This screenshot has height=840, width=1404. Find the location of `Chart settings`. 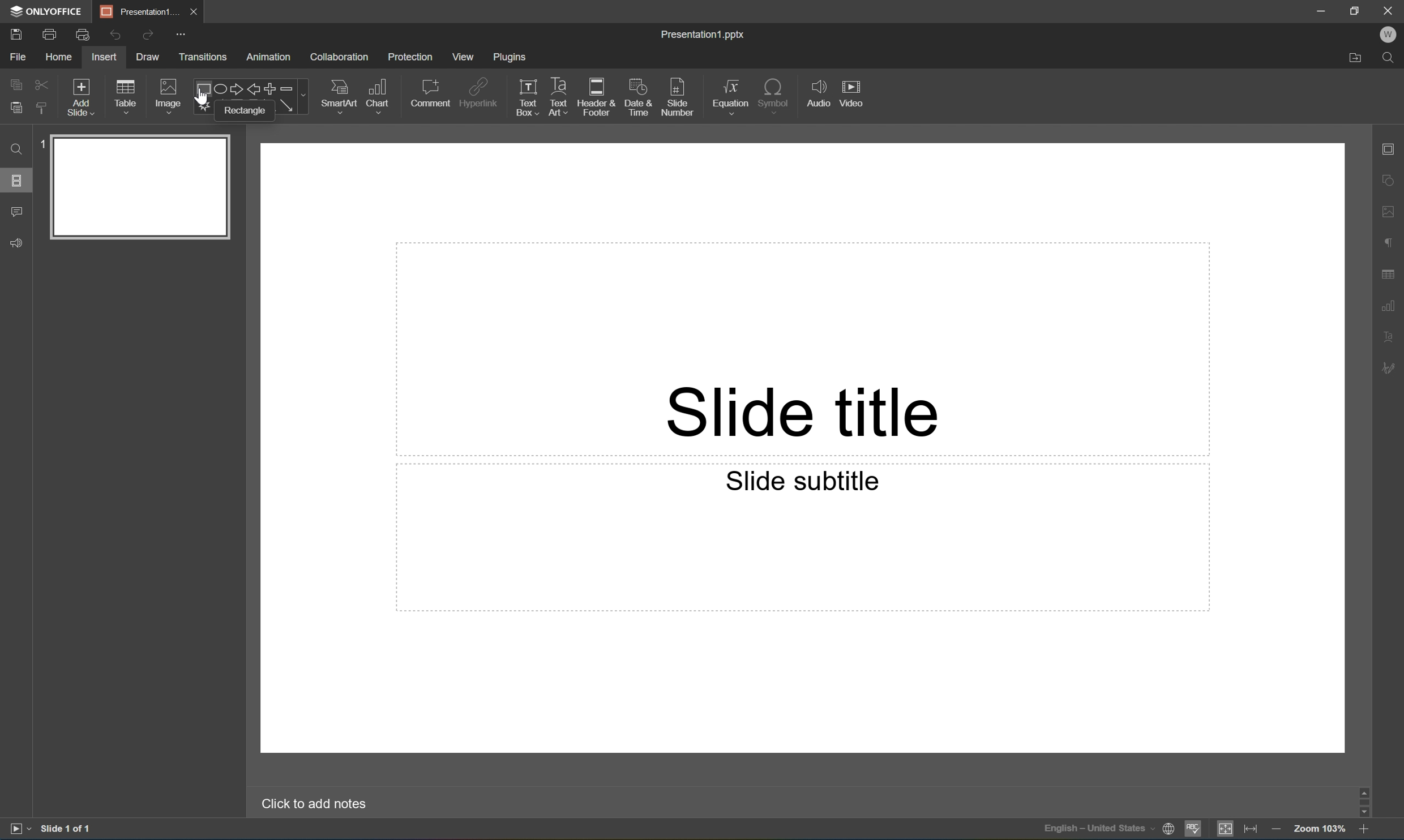

Chart settings is located at coordinates (1391, 306).